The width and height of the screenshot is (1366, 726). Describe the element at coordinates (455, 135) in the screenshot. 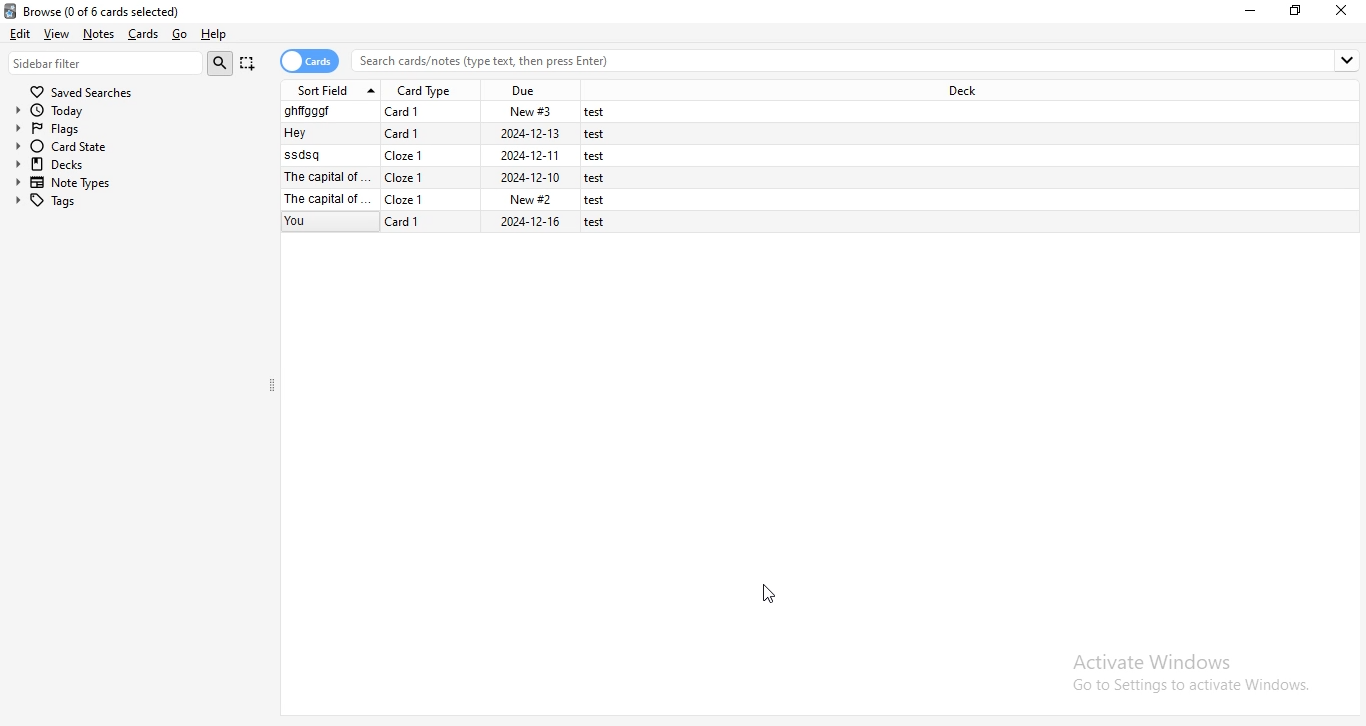

I see `File` at that location.